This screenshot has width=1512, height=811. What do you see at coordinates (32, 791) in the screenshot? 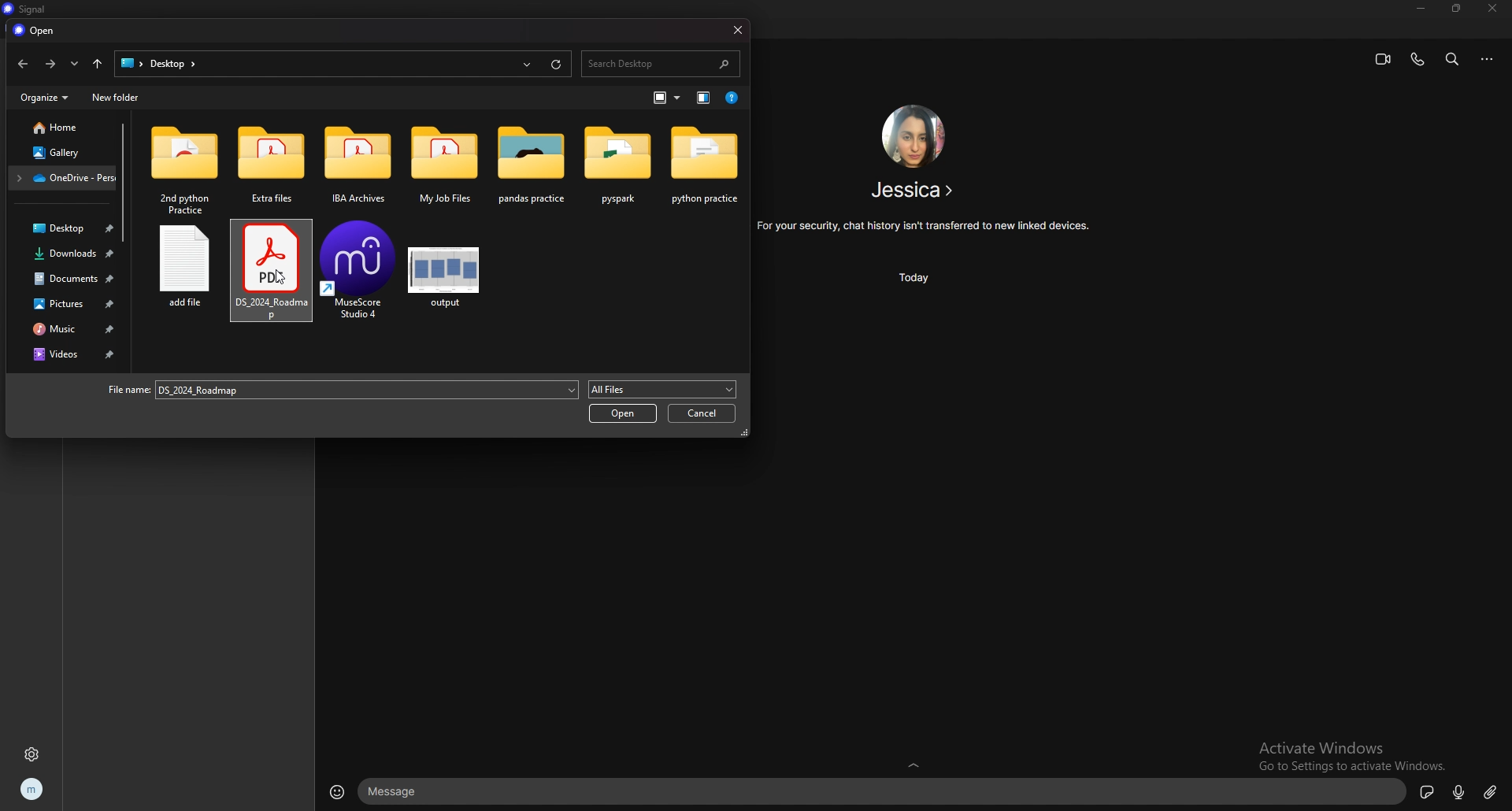
I see `profile` at bounding box center [32, 791].